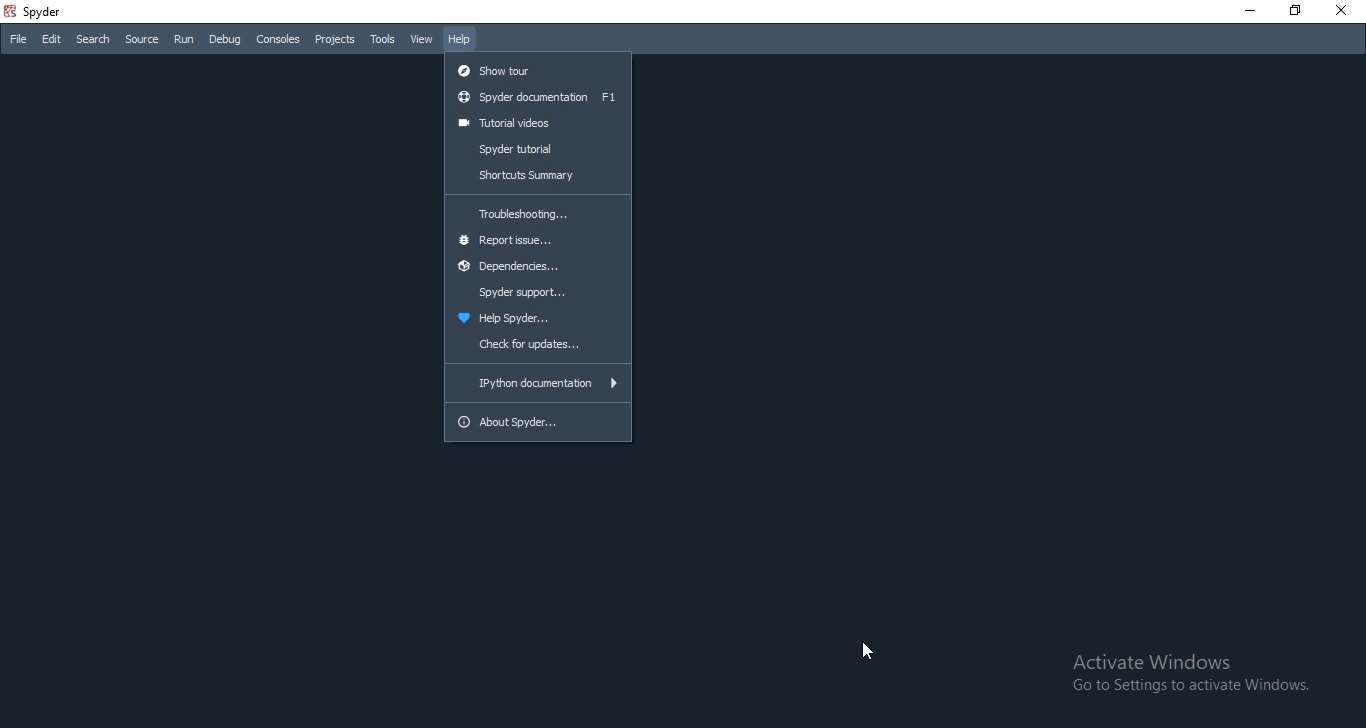 The image size is (1366, 728). What do you see at coordinates (1346, 12) in the screenshot?
I see `Close` at bounding box center [1346, 12].